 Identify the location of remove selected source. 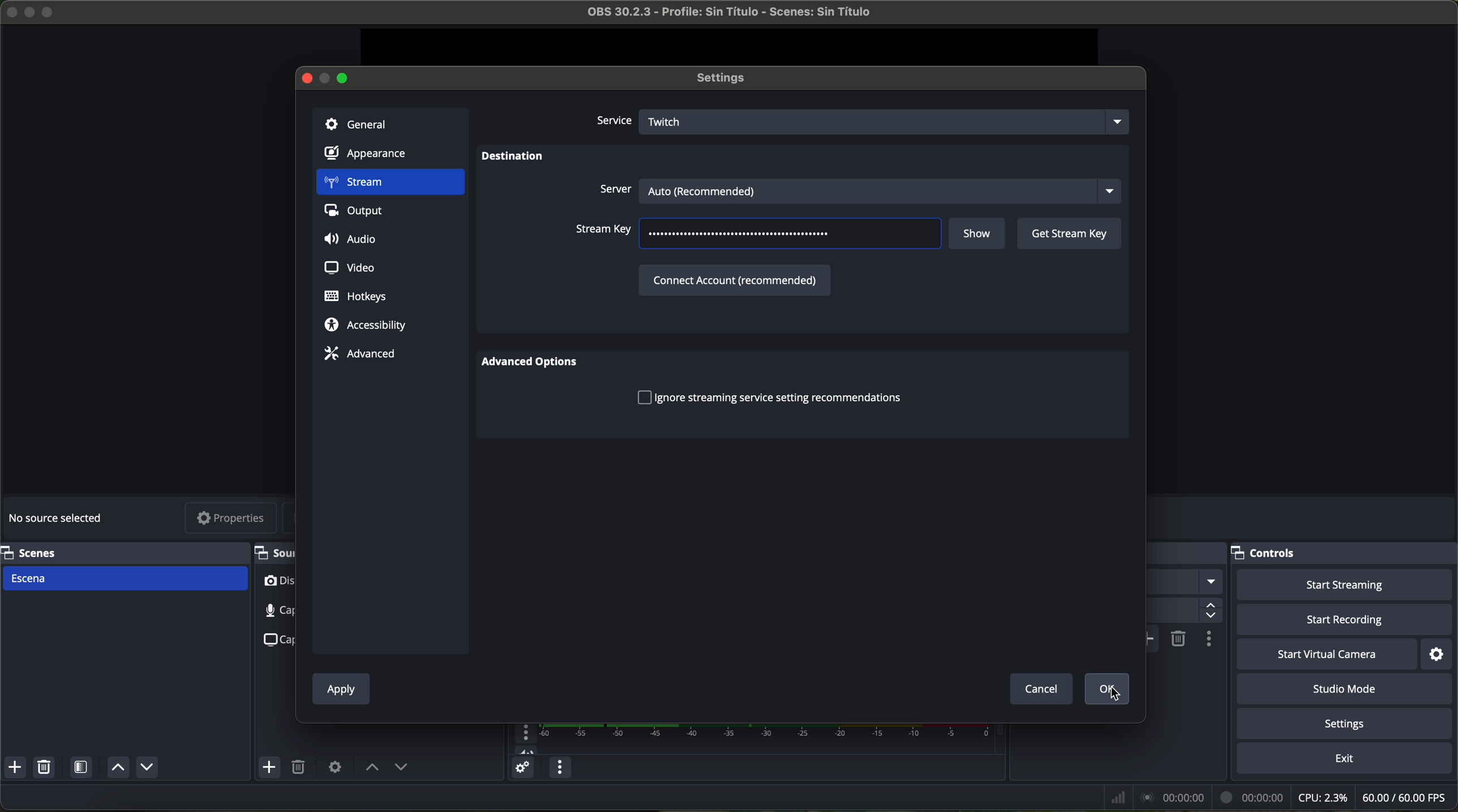
(301, 768).